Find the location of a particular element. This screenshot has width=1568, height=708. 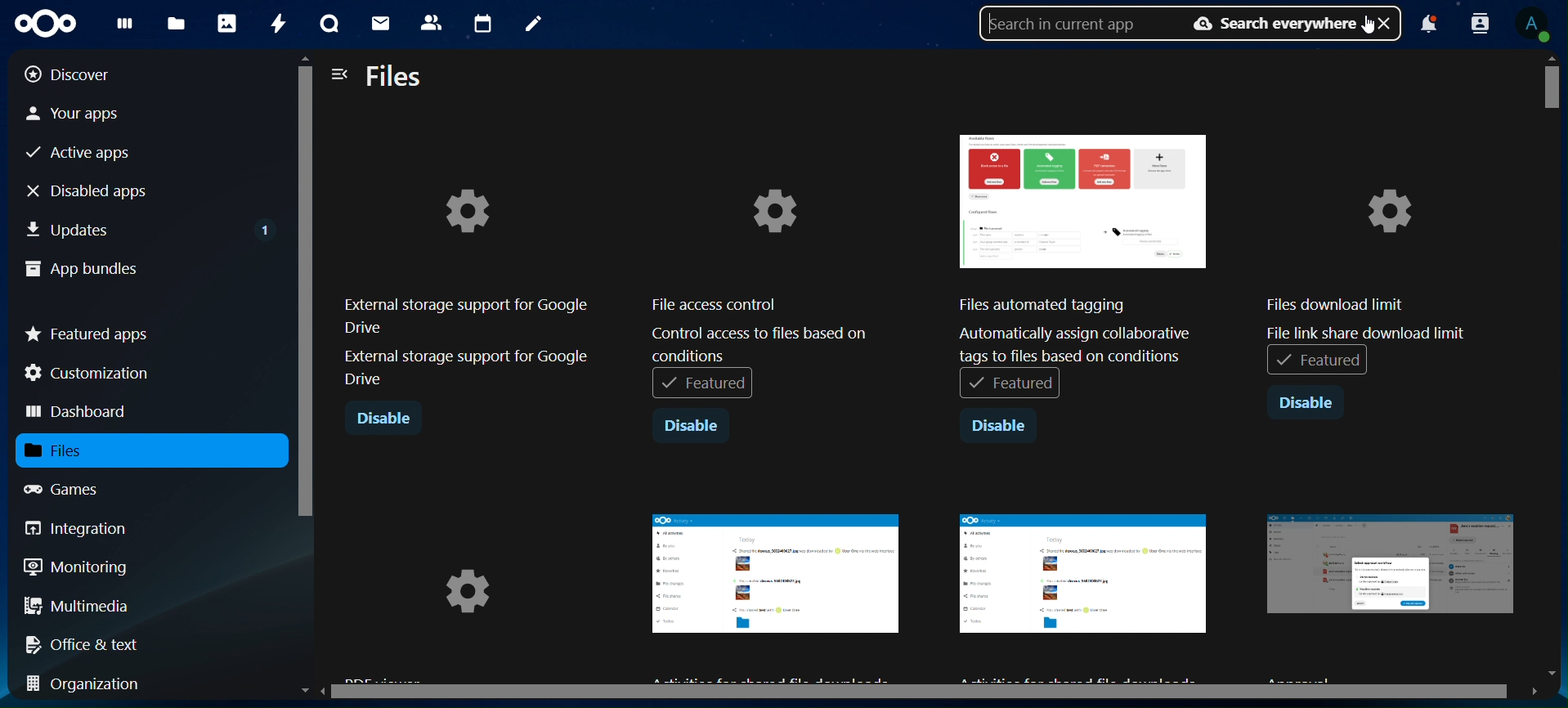

featured apps is located at coordinates (88, 330).